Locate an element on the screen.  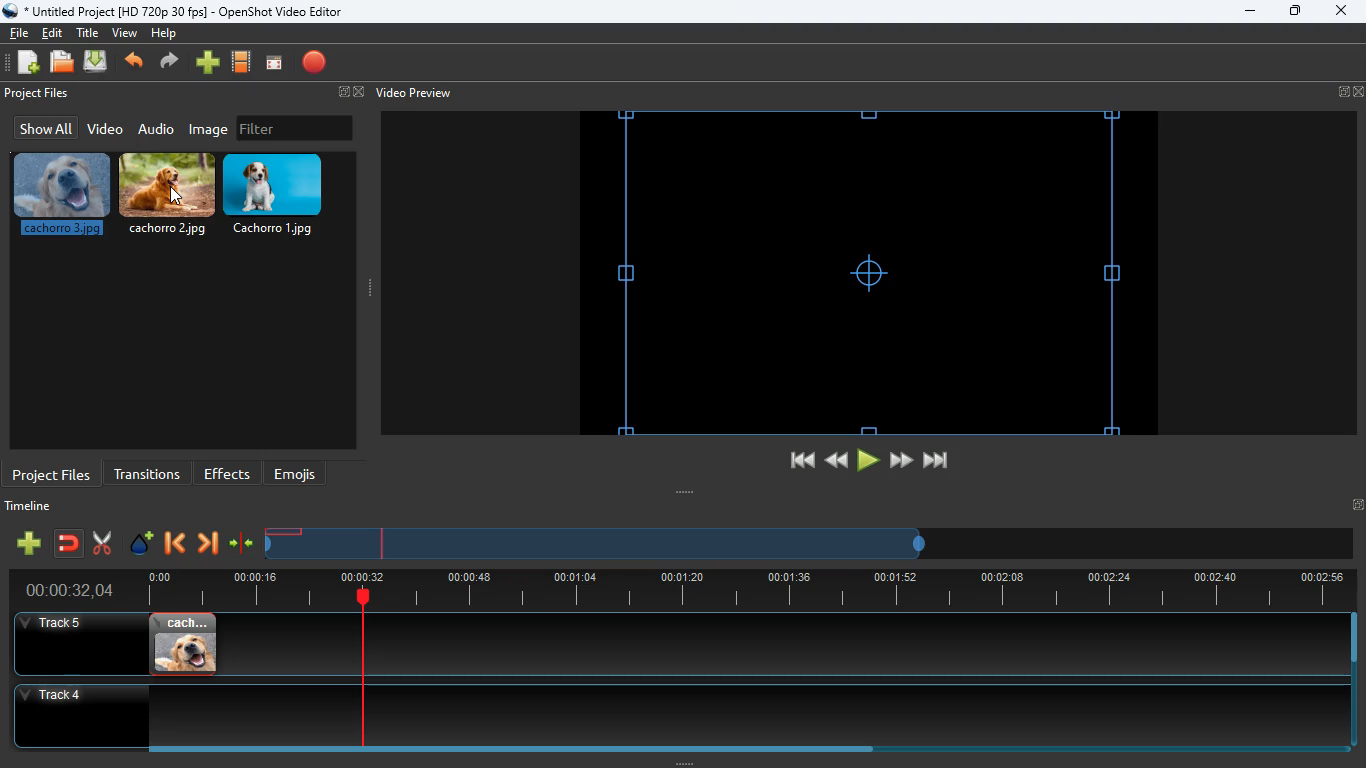
screen is located at coordinates (274, 64).